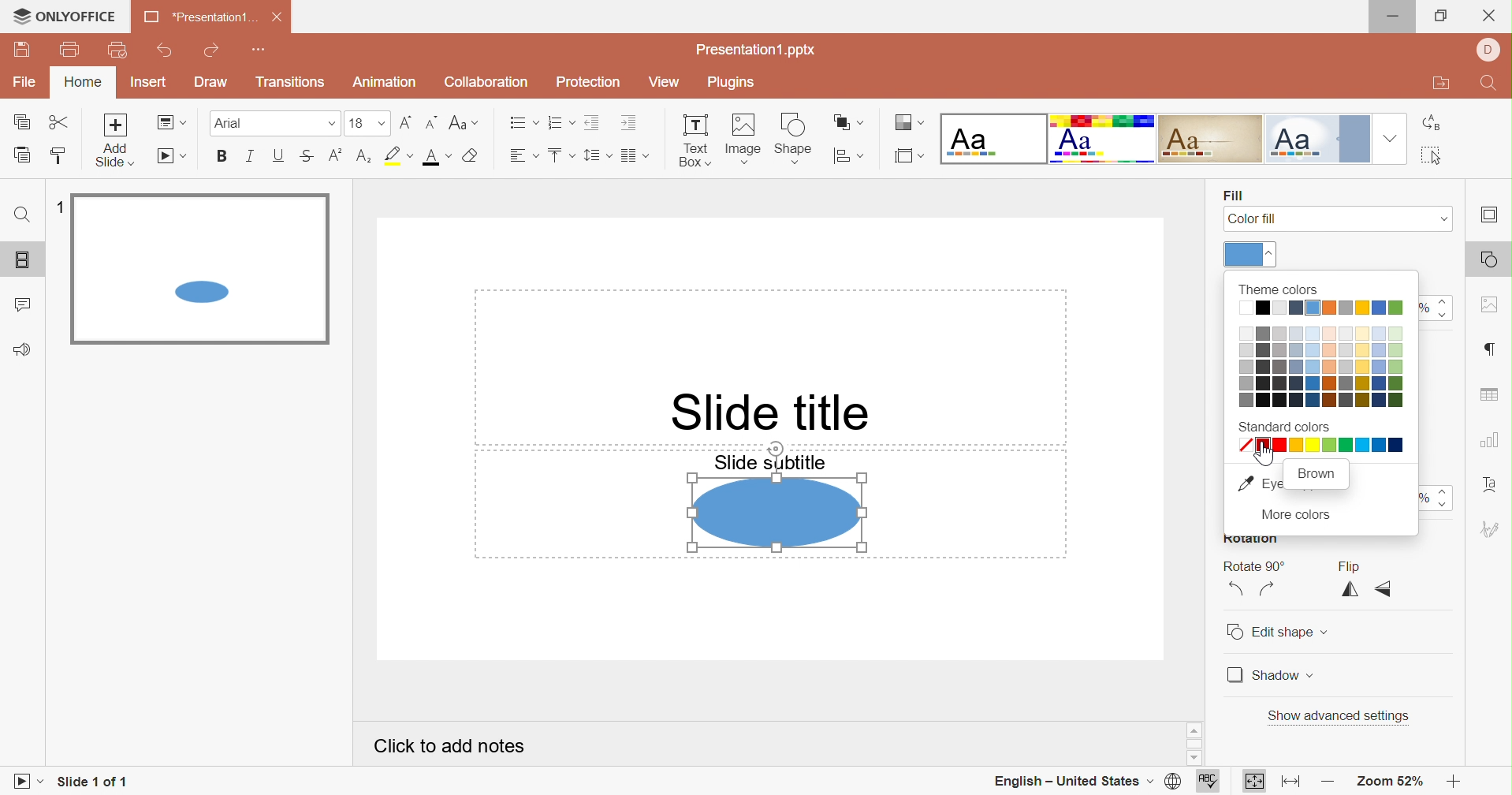  Describe the element at coordinates (522, 123) in the screenshot. I see `Bullets` at that location.